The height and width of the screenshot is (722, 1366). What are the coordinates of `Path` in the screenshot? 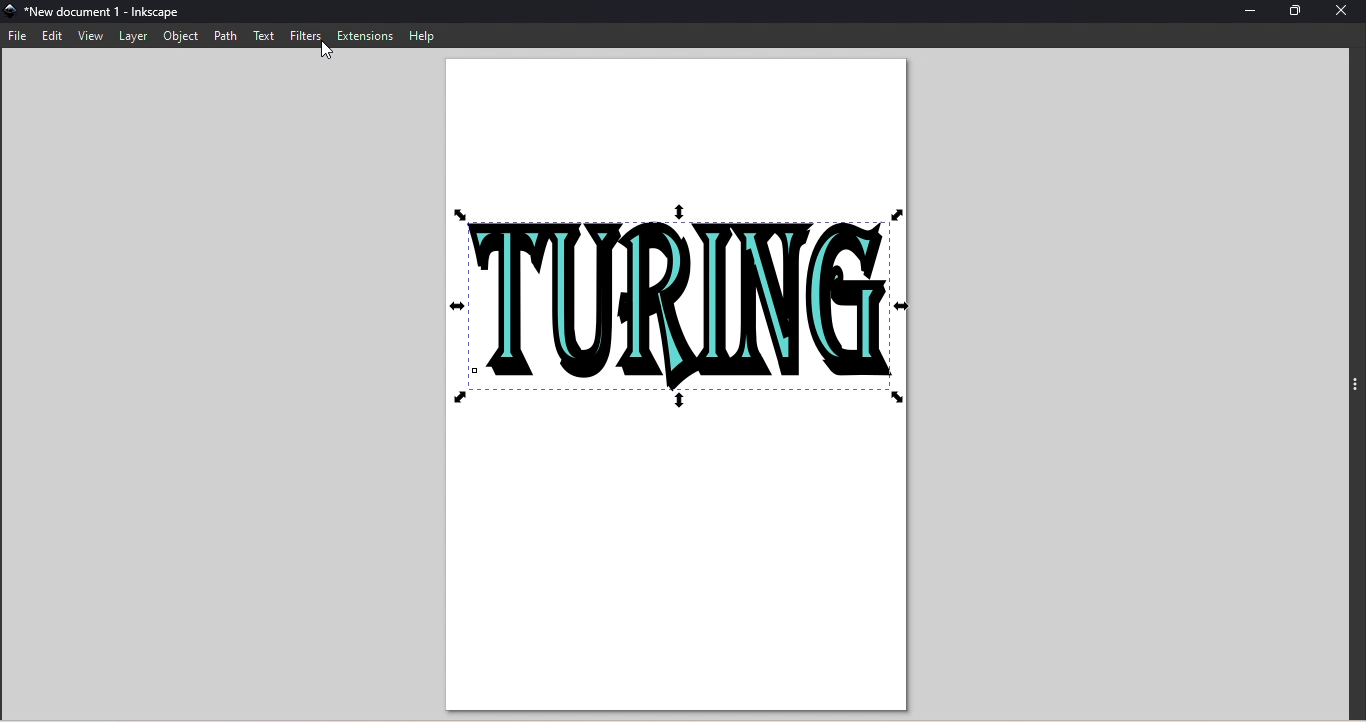 It's located at (222, 36).